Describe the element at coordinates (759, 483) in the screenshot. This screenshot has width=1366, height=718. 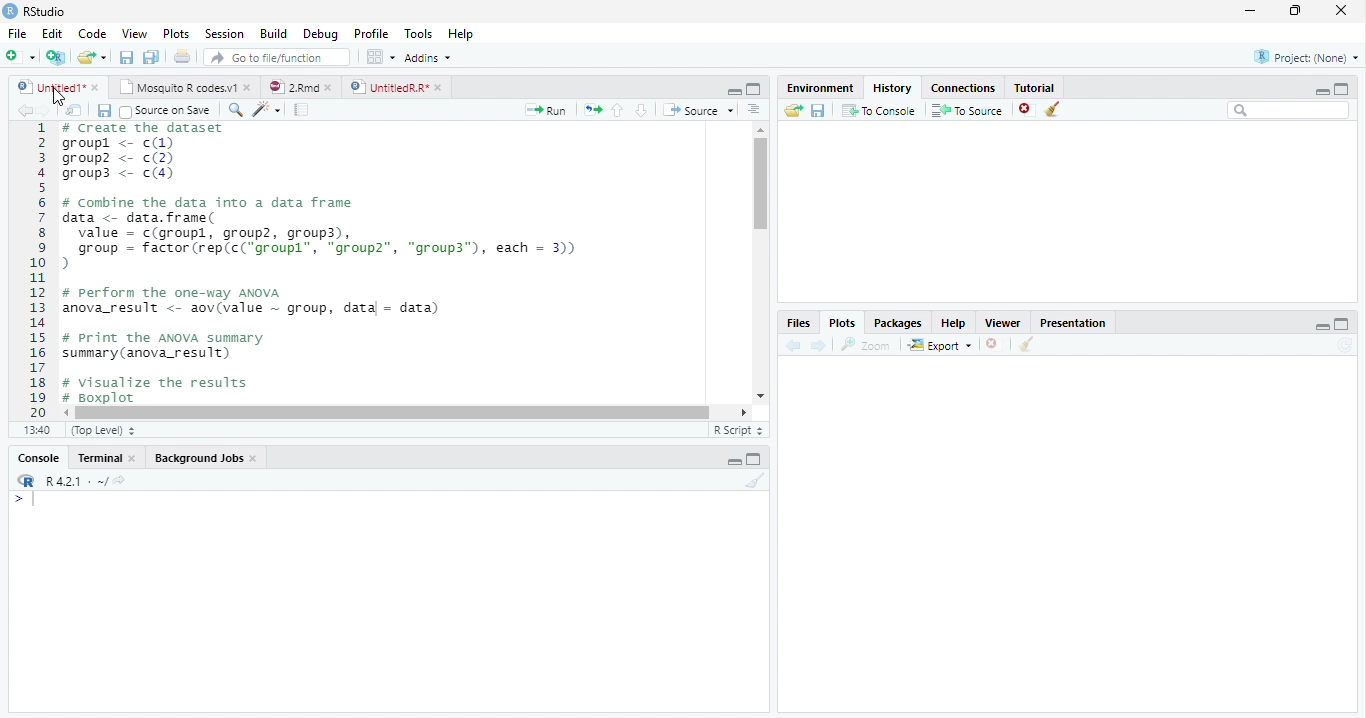
I see `Clear console` at that location.